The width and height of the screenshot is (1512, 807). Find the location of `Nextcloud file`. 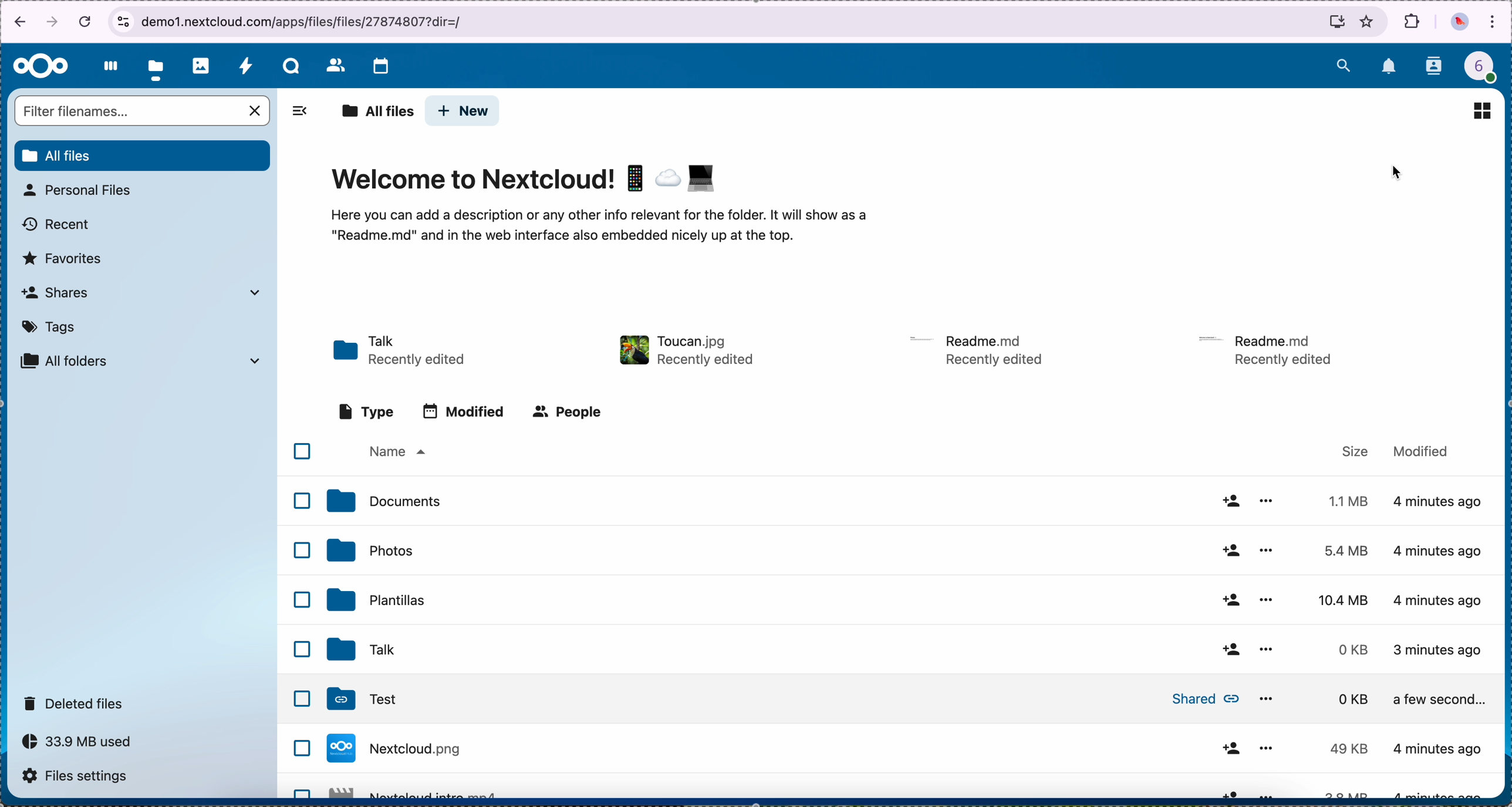

Nextcloud file is located at coordinates (420, 791).